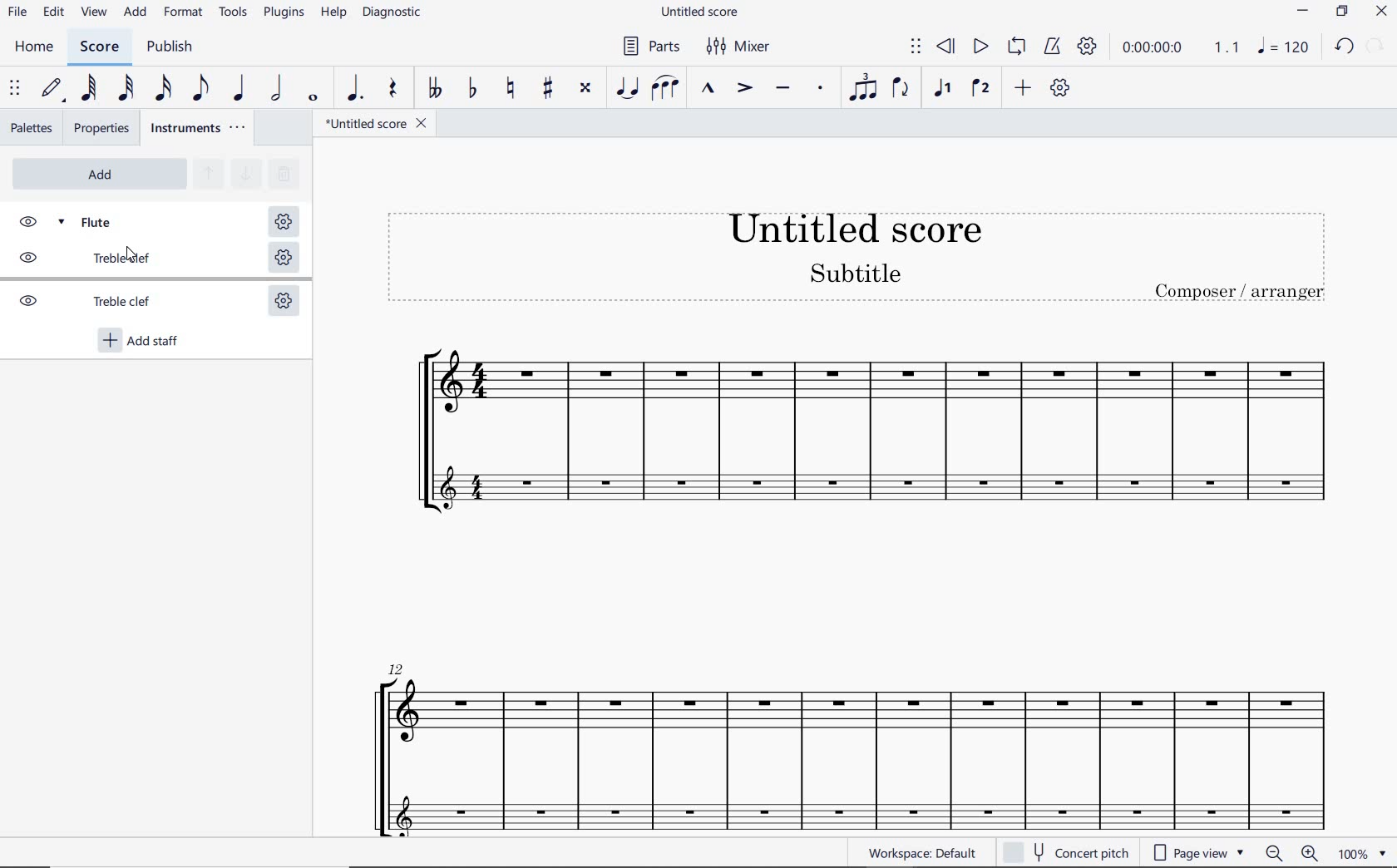 The height and width of the screenshot is (868, 1397). I want to click on SELECT TO MOVE, so click(915, 47).